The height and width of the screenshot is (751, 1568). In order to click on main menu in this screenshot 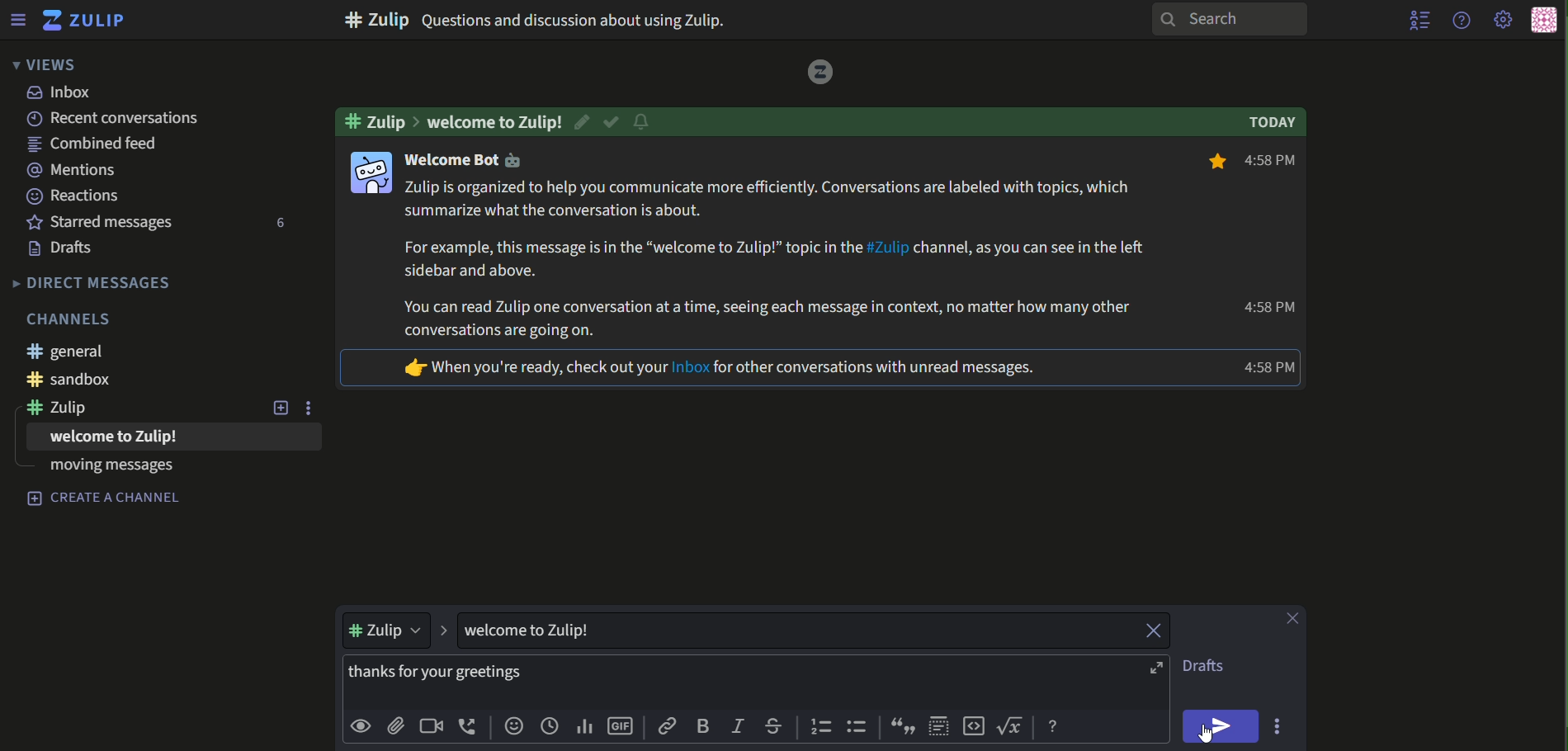, I will do `click(1504, 21)`.